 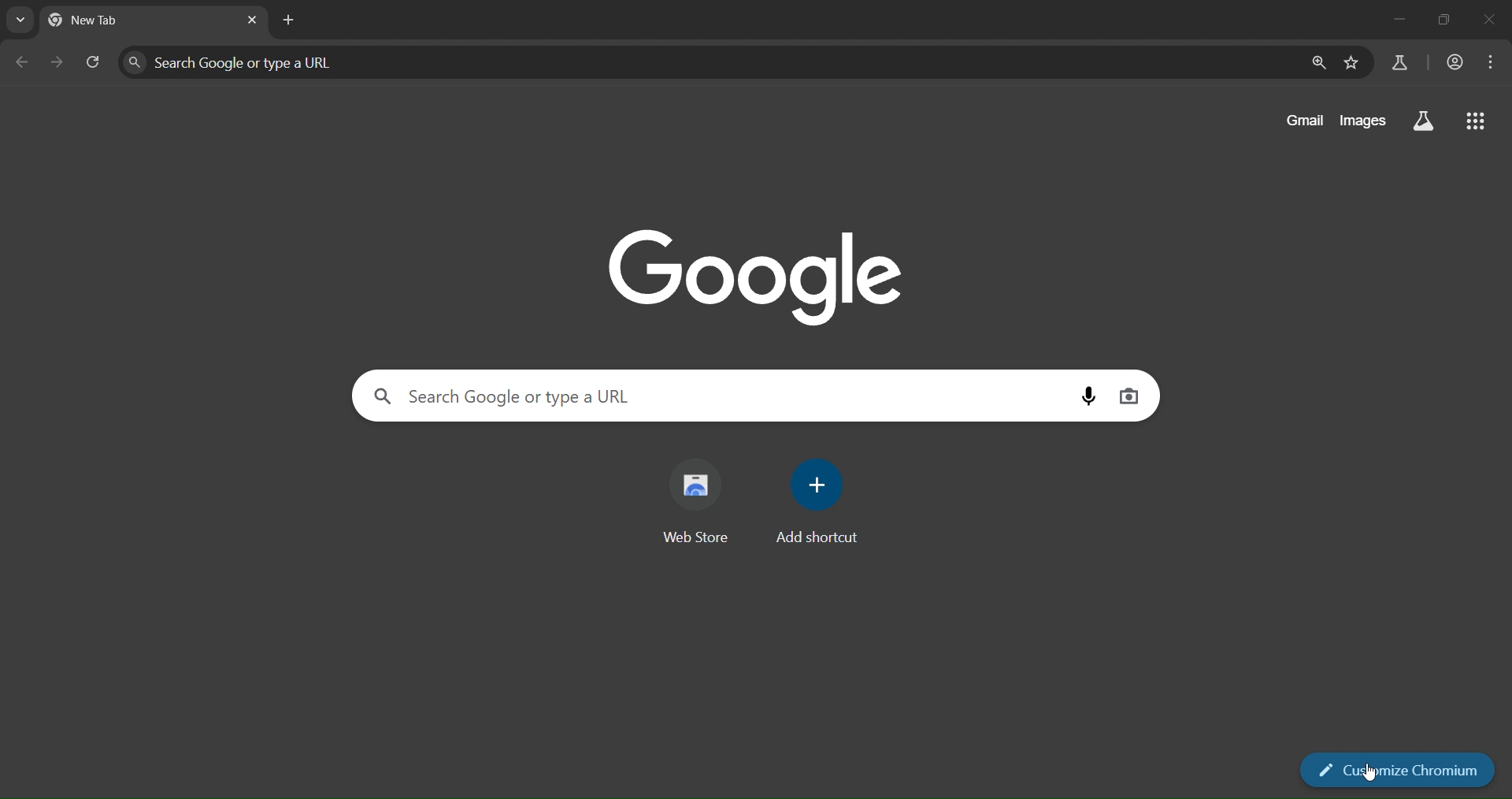 What do you see at coordinates (722, 396) in the screenshot?
I see `search panel` at bounding box center [722, 396].